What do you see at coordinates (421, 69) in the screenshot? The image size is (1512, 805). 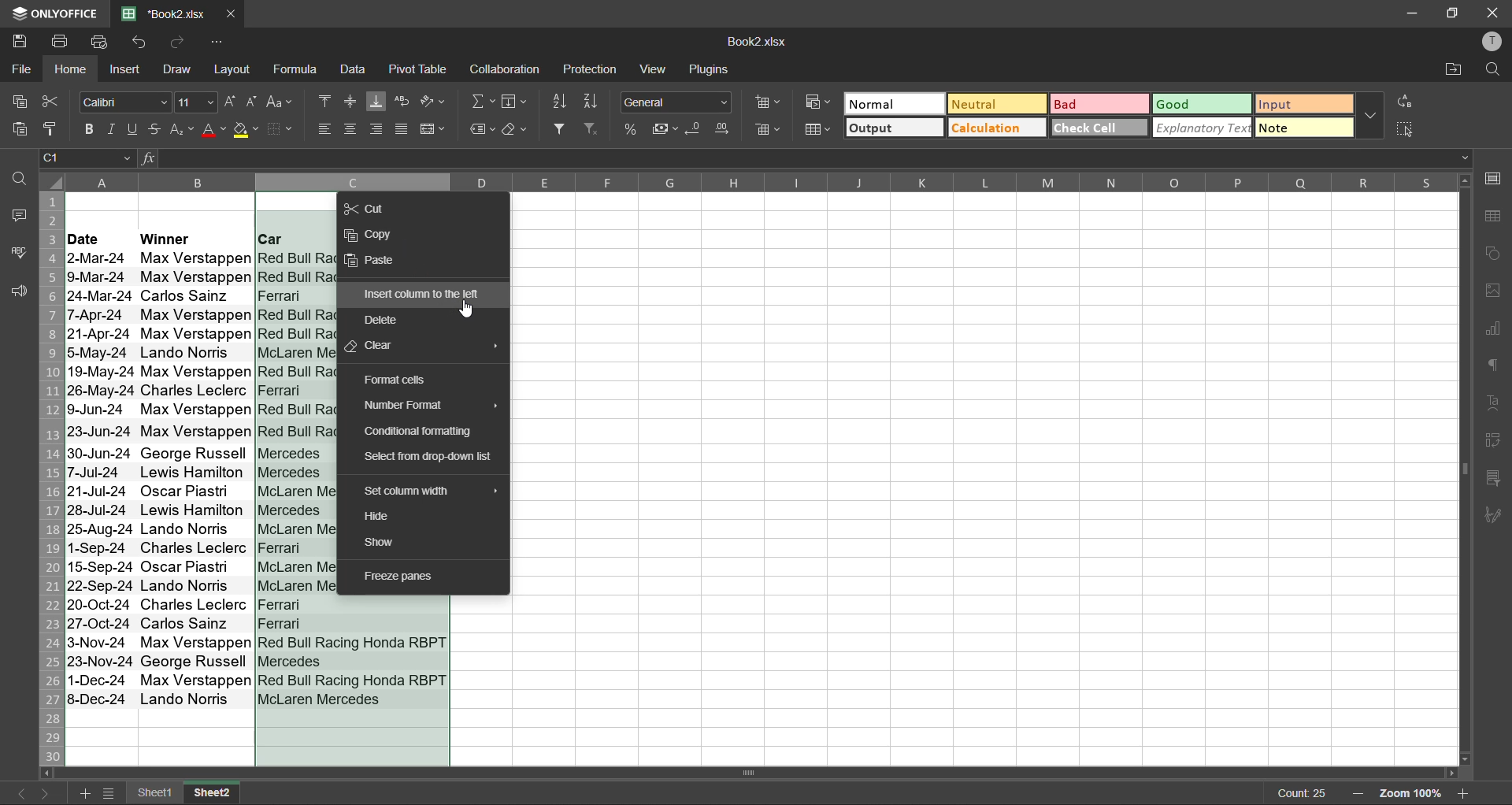 I see `pivot table` at bounding box center [421, 69].